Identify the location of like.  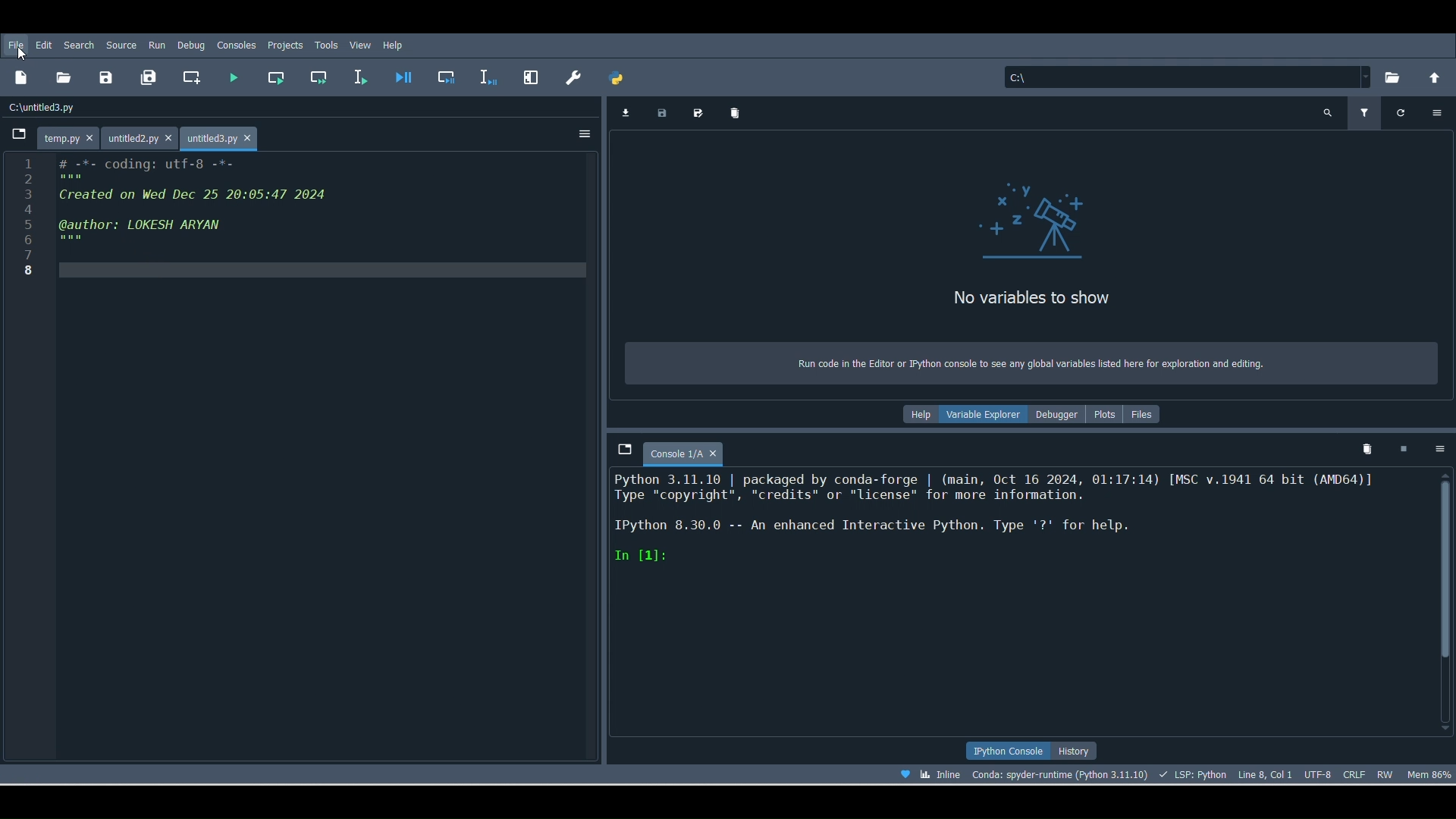
(901, 775).